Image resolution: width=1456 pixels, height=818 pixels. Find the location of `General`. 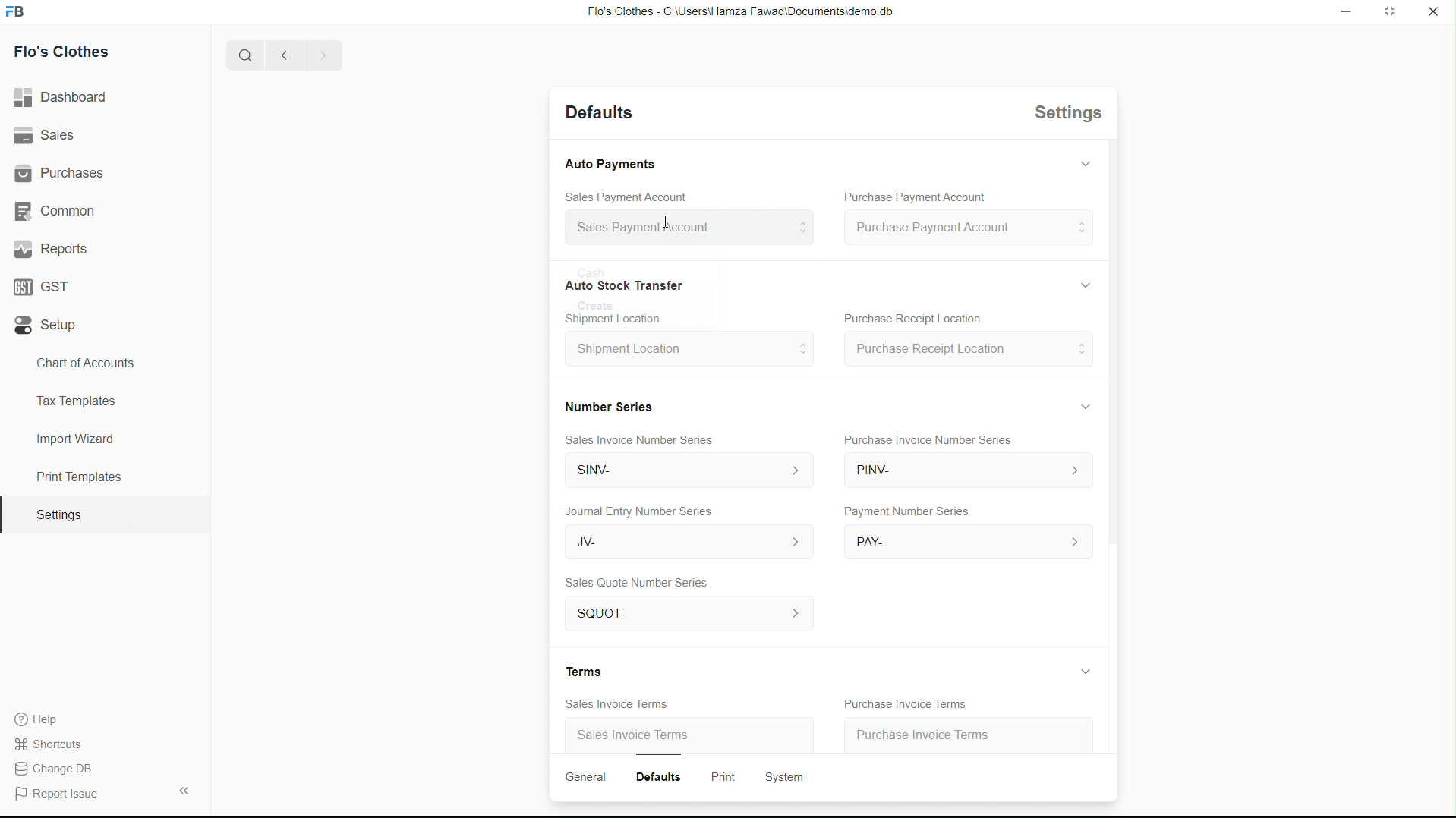

General is located at coordinates (585, 776).